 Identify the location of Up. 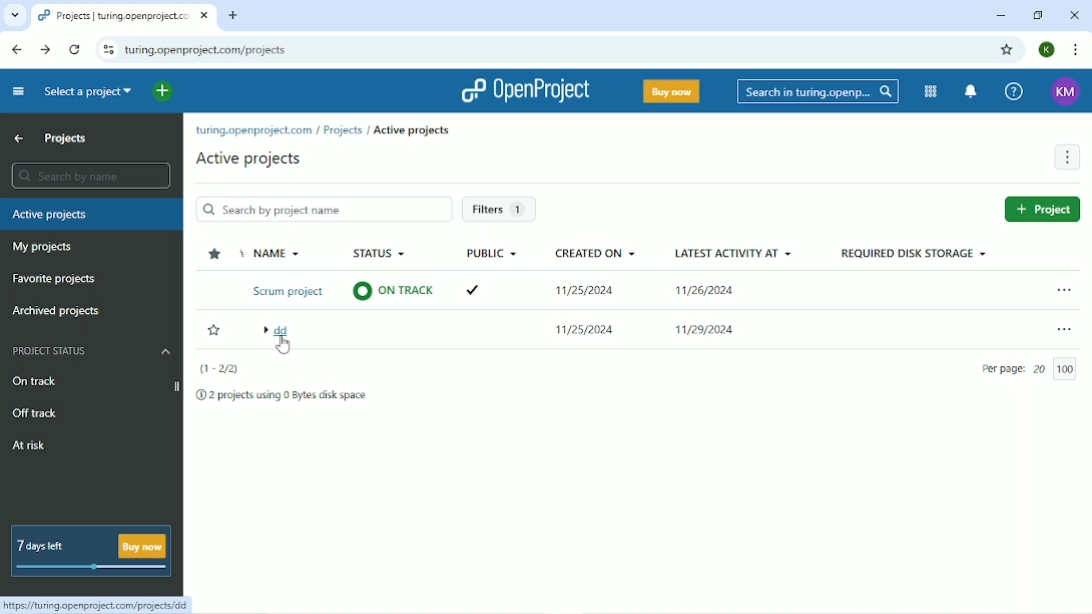
(19, 139).